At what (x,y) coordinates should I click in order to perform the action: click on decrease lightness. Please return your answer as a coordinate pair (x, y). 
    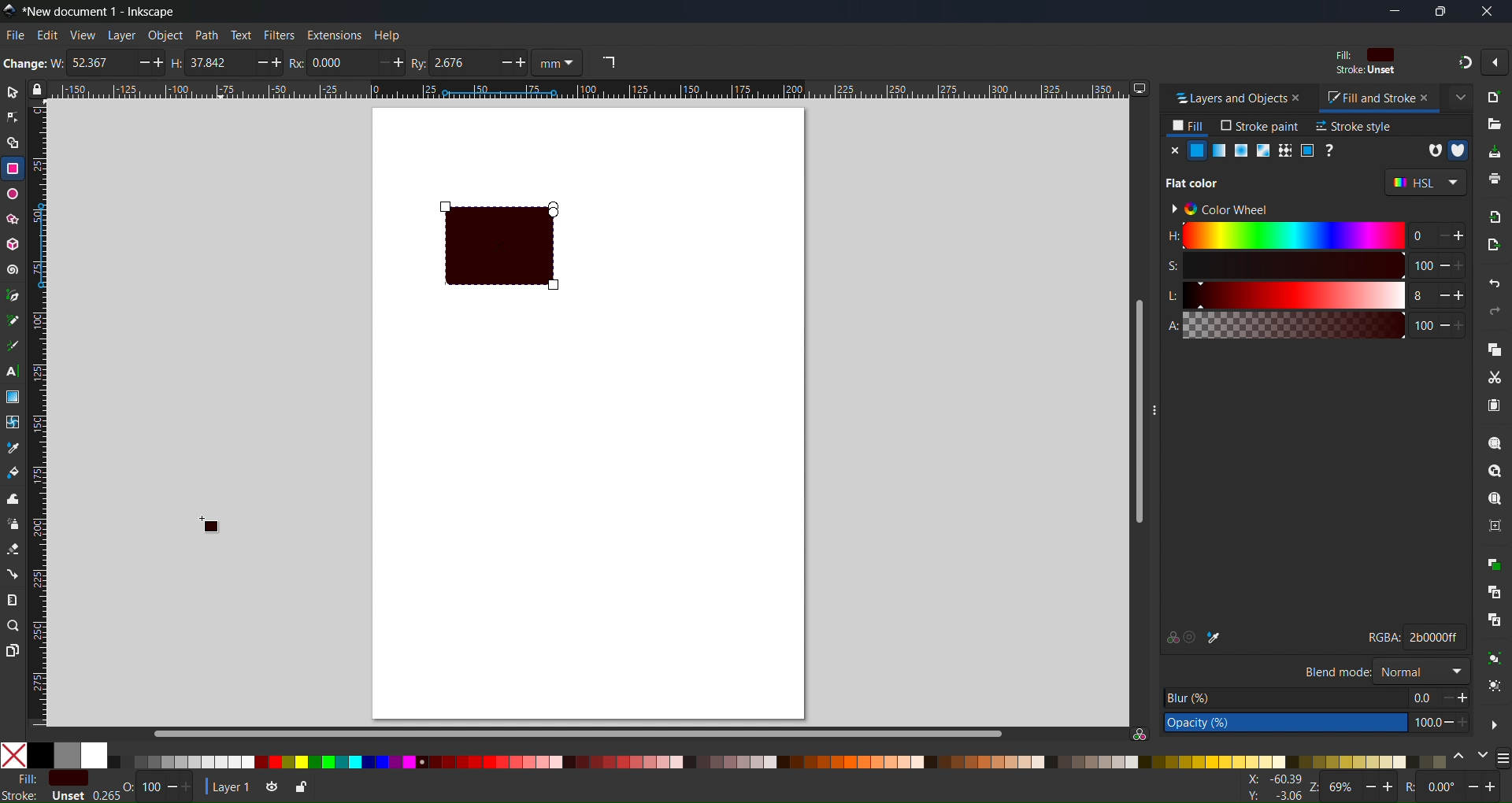
    Looking at the image, I should click on (1440, 294).